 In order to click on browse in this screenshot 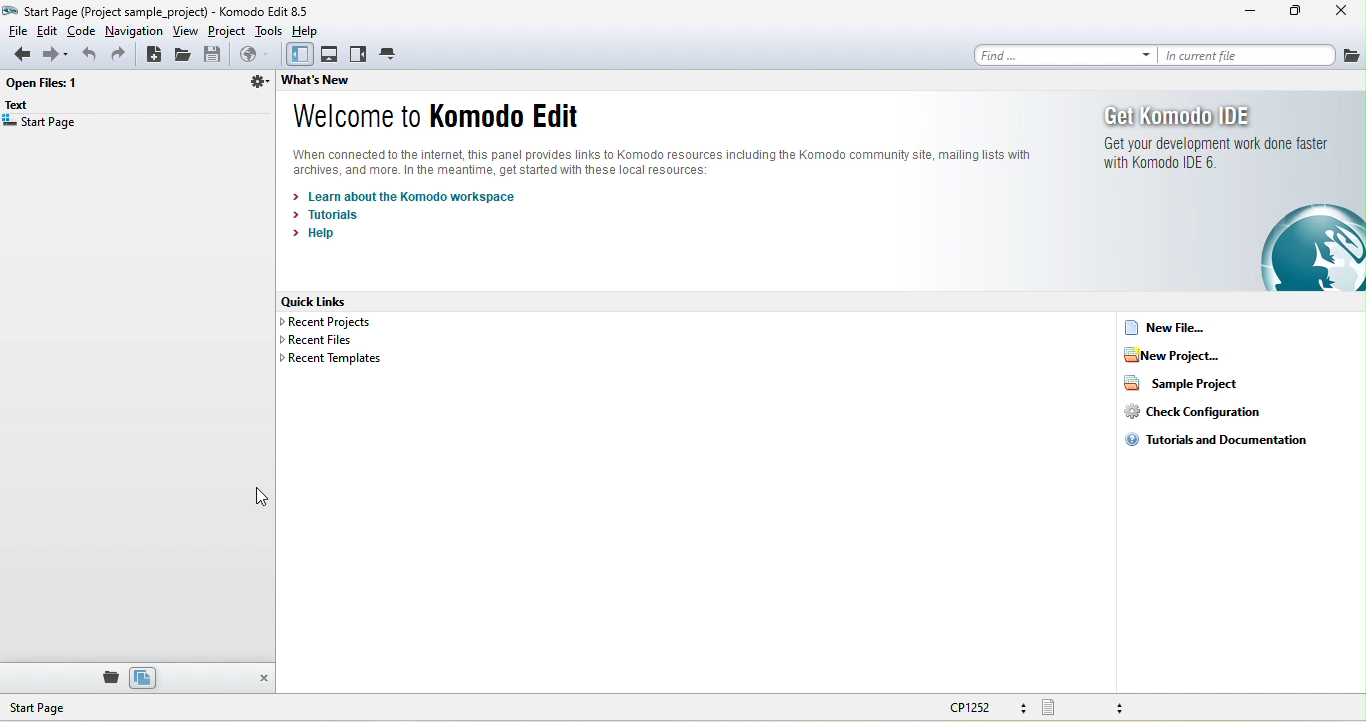, I will do `click(253, 56)`.